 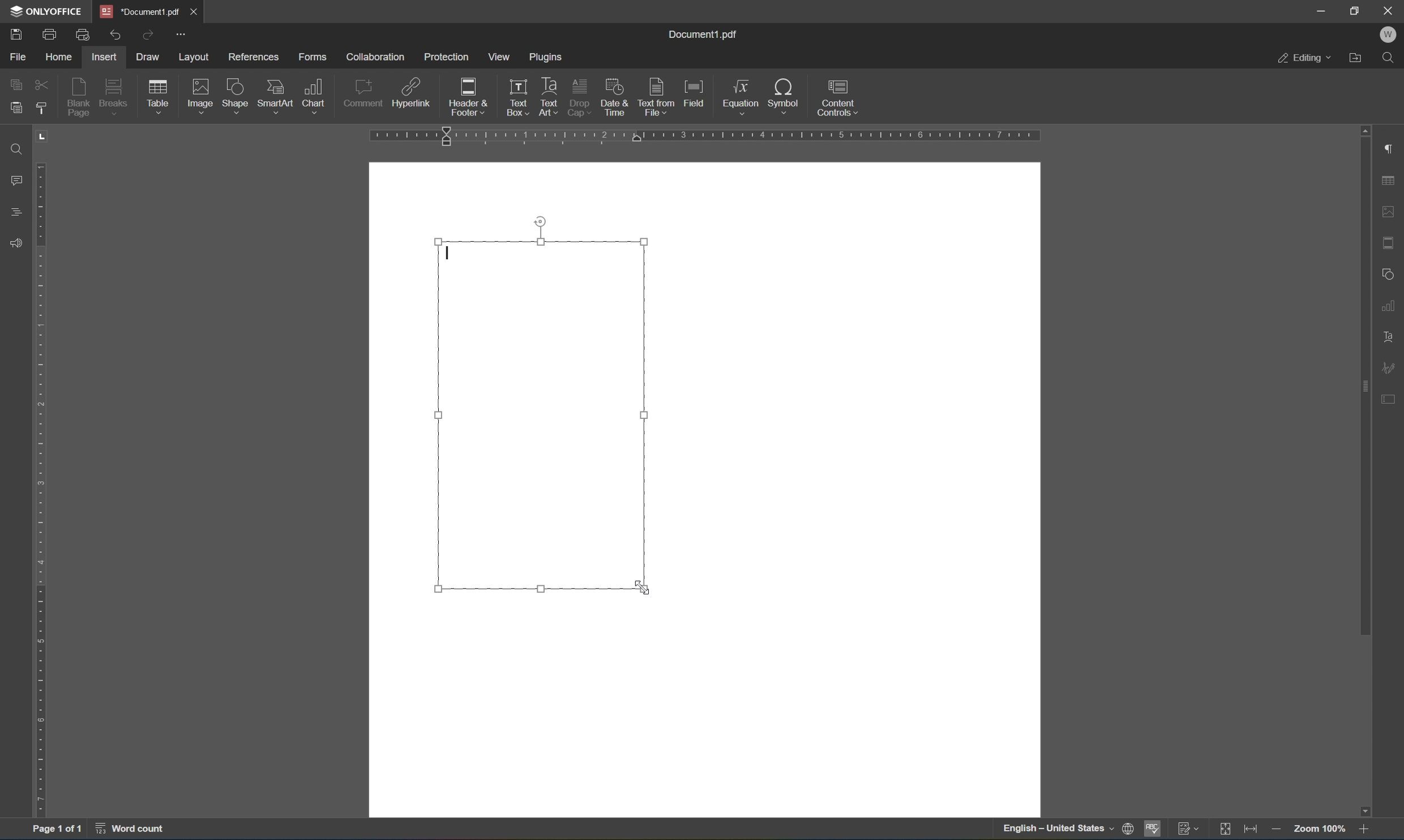 I want to click on image, so click(x=202, y=96).